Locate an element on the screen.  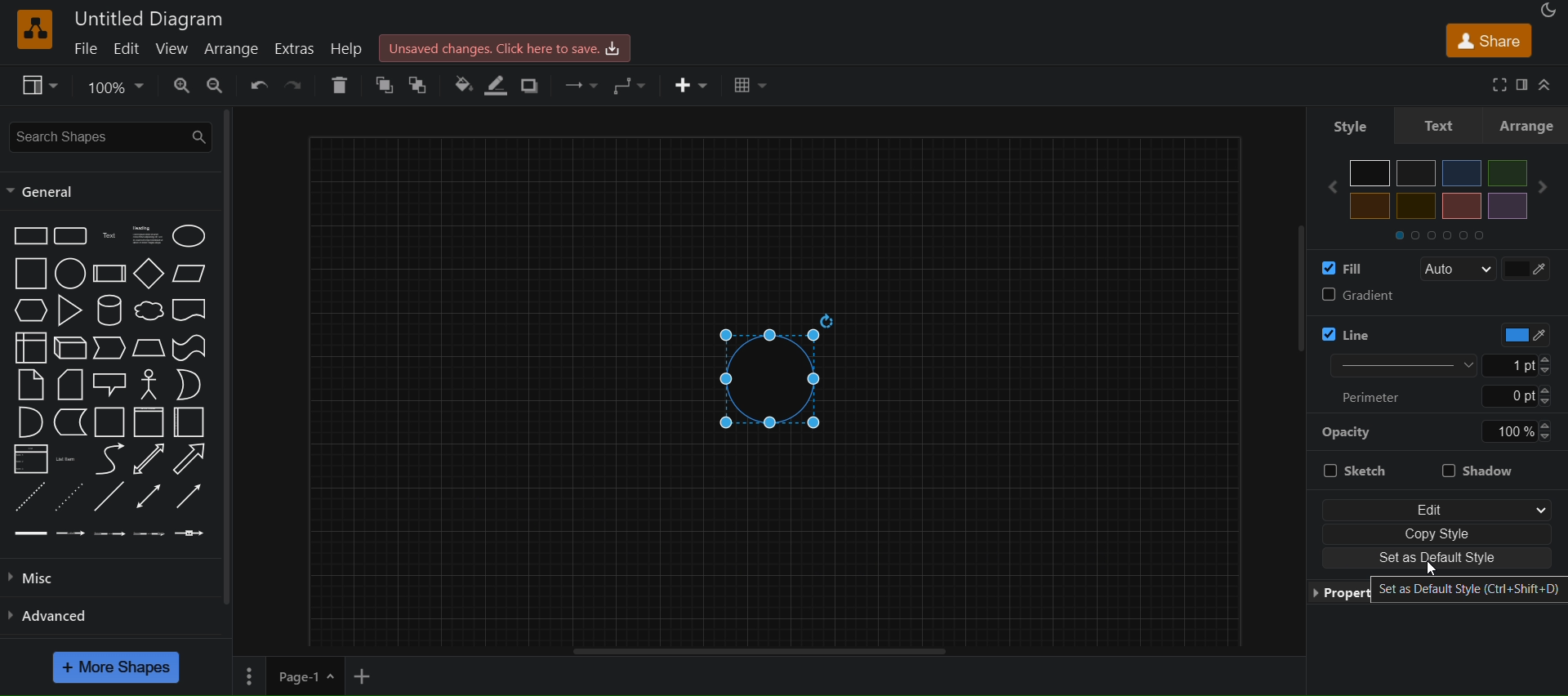
circle color changed to blue is located at coordinates (782, 377).